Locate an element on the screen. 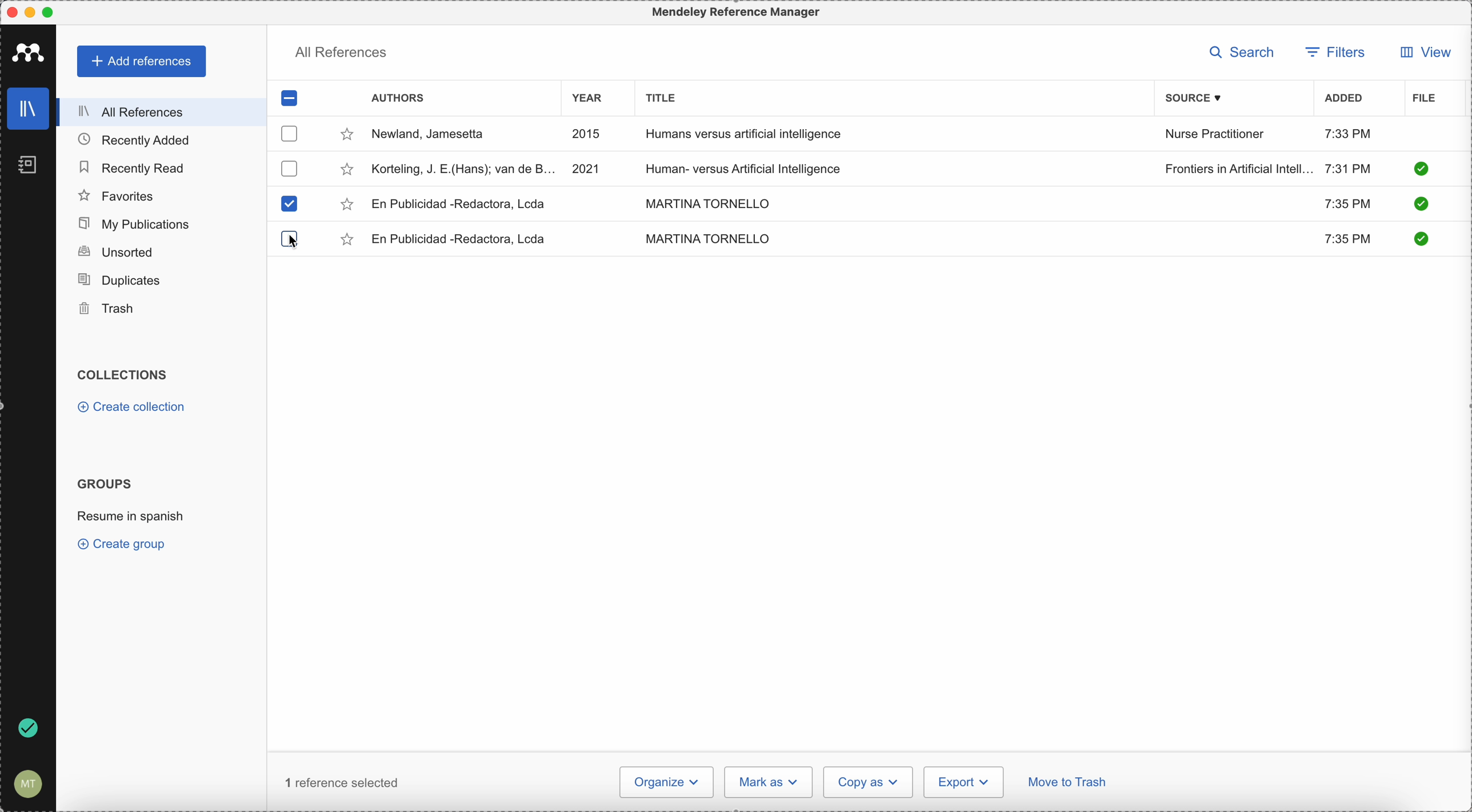 This screenshot has width=1472, height=812. year is located at coordinates (594, 100).